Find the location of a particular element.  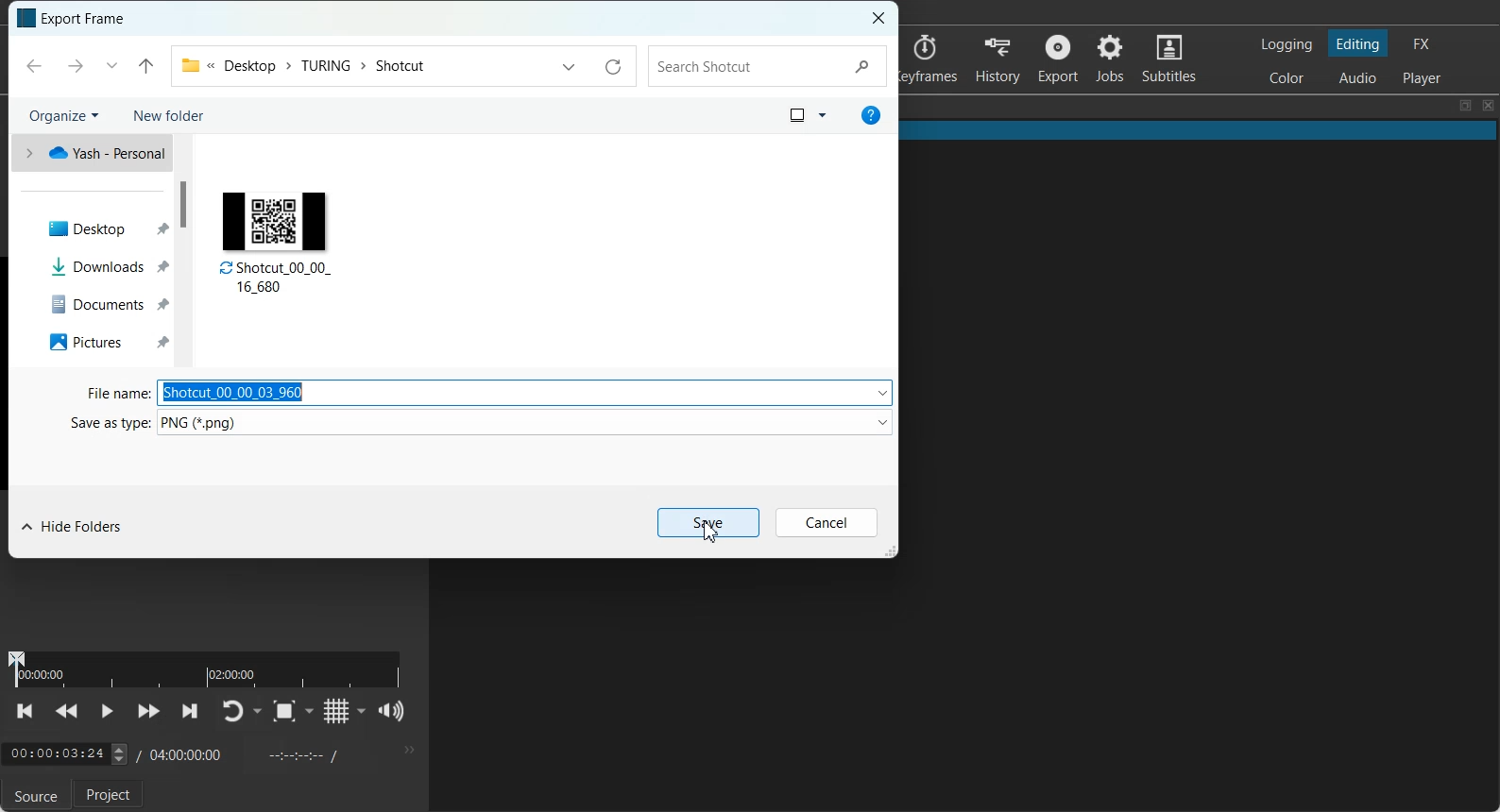

Skip to next point is located at coordinates (191, 712).